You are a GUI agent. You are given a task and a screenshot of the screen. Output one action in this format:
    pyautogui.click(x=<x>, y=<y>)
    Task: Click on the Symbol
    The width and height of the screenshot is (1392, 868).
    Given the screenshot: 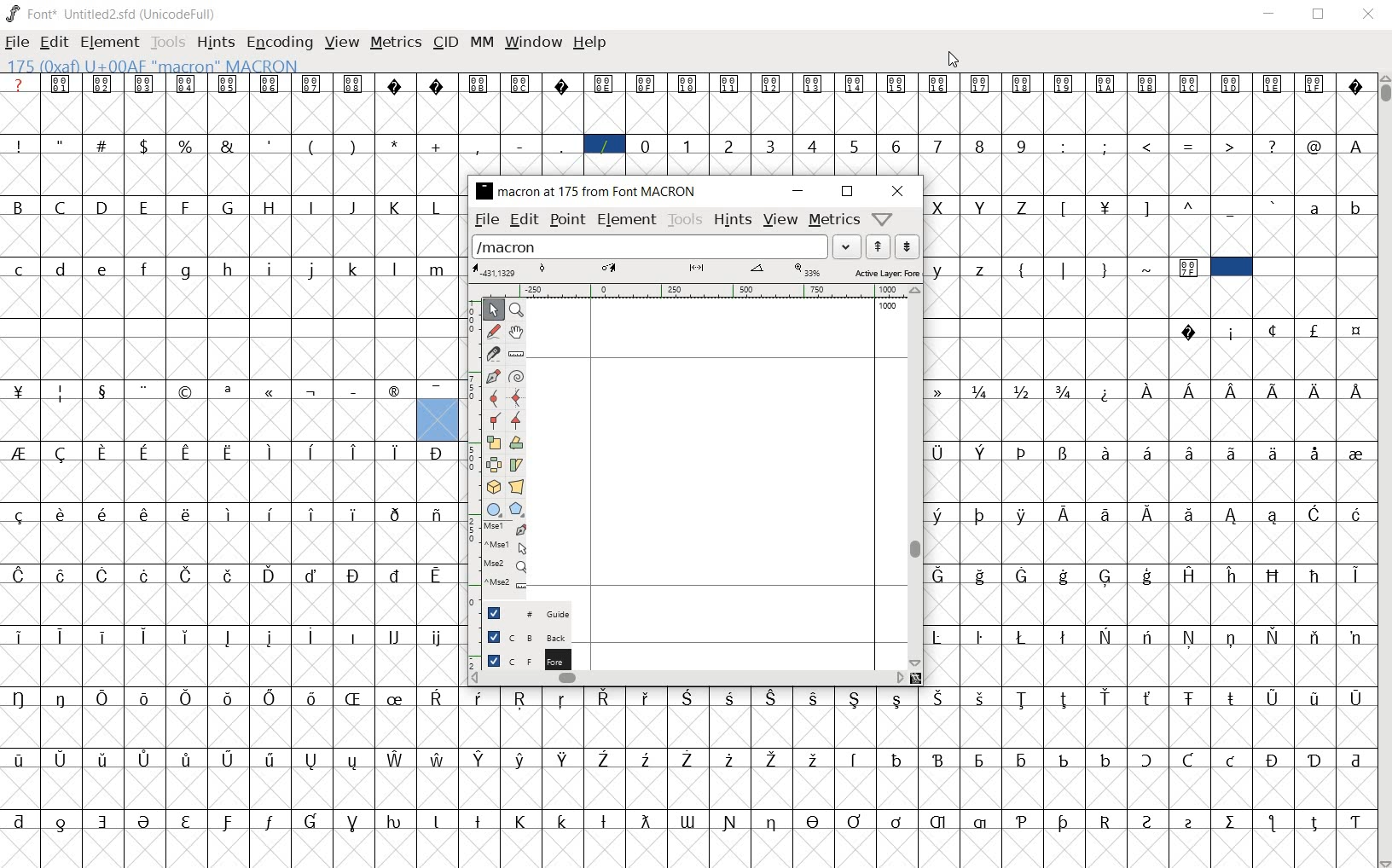 What is the action you would take?
    pyautogui.click(x=606, y=698)
    